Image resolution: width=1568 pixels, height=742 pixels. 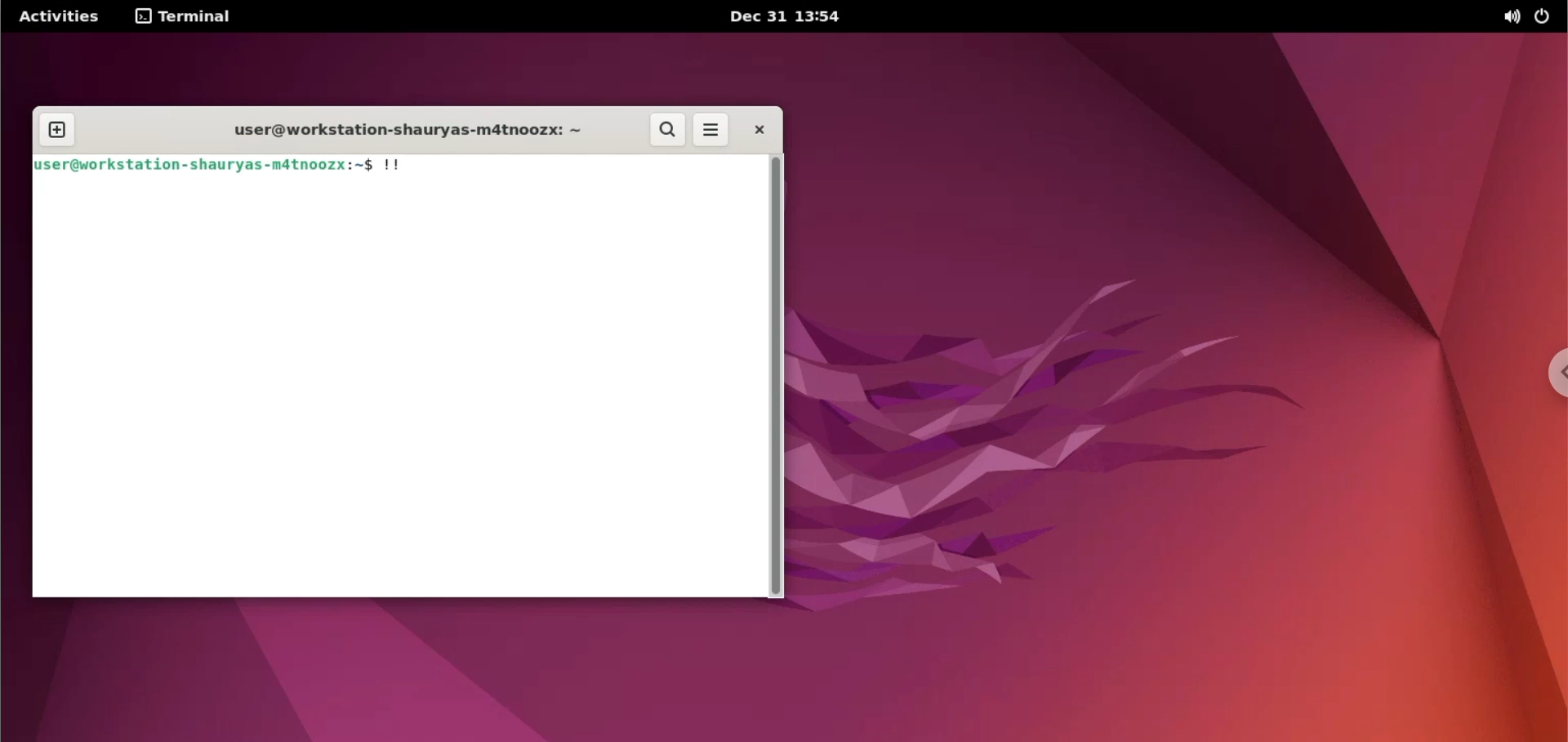 What do you see at coordinates (778, 378) in the screenshot?
I see `scrollbar` at bounding box center [778, 378].